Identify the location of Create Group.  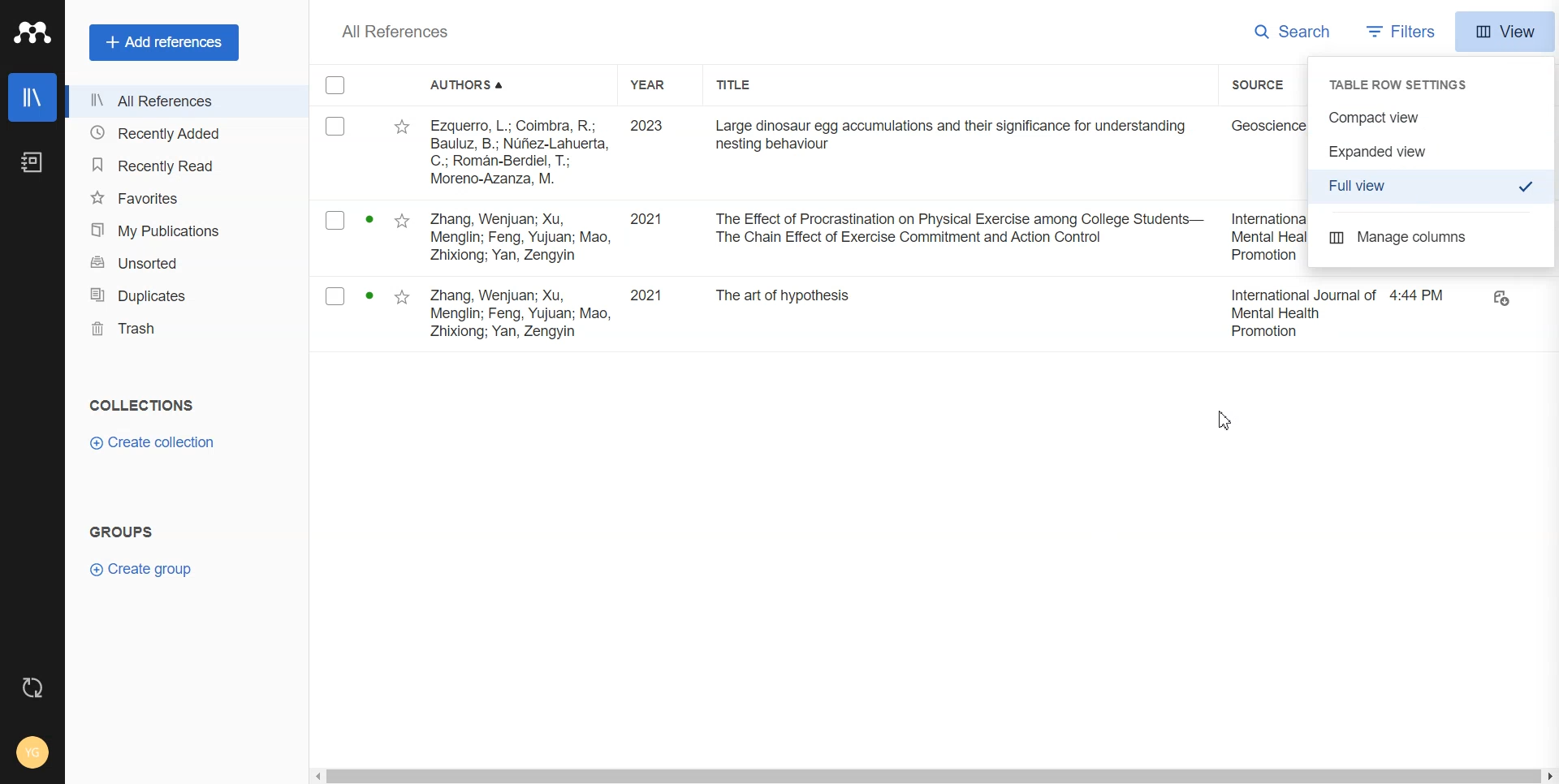
(145, 570).